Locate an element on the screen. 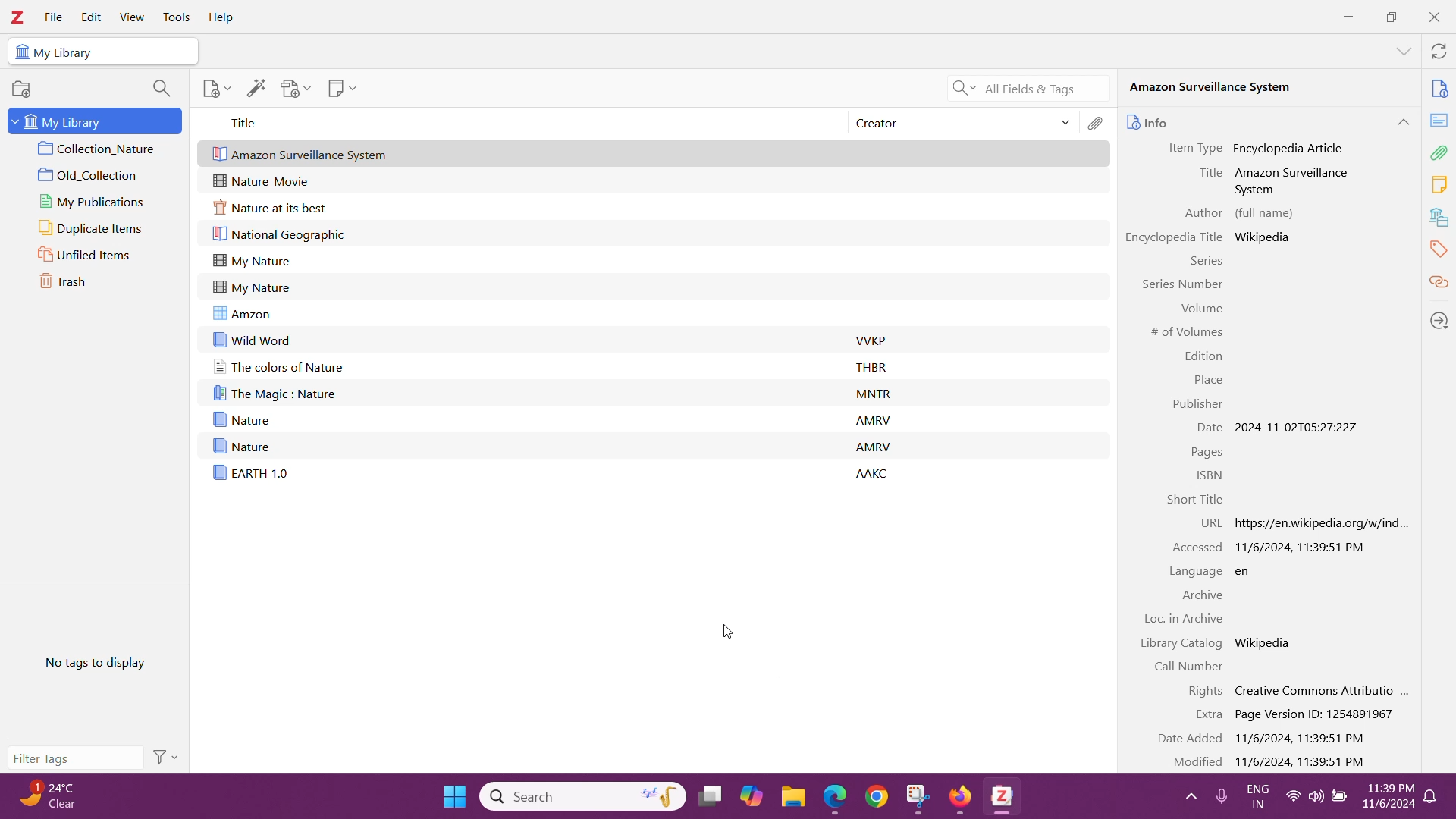 This screenshot has height=819, width=1456. Encyclopedia Article is located at coordinates (1292, 149).